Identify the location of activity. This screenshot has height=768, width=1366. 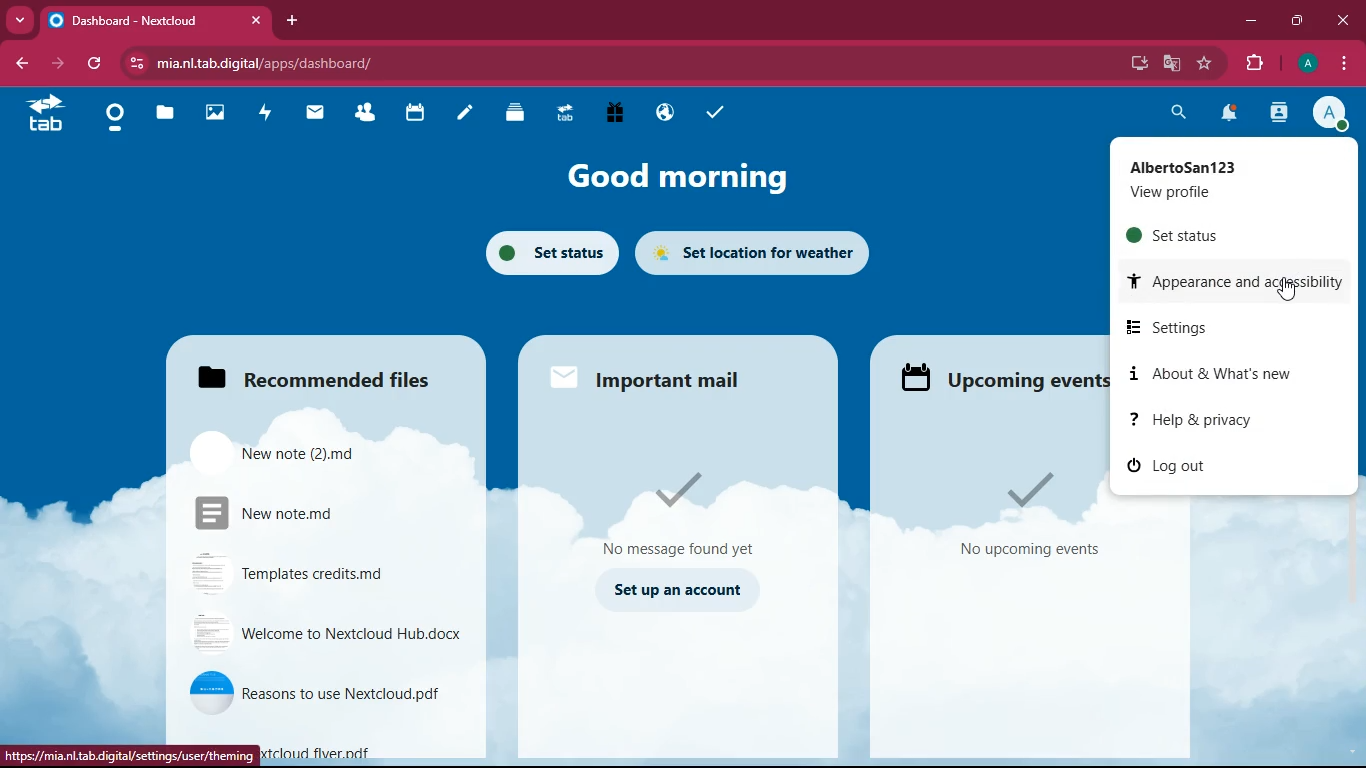
(1280, 113).